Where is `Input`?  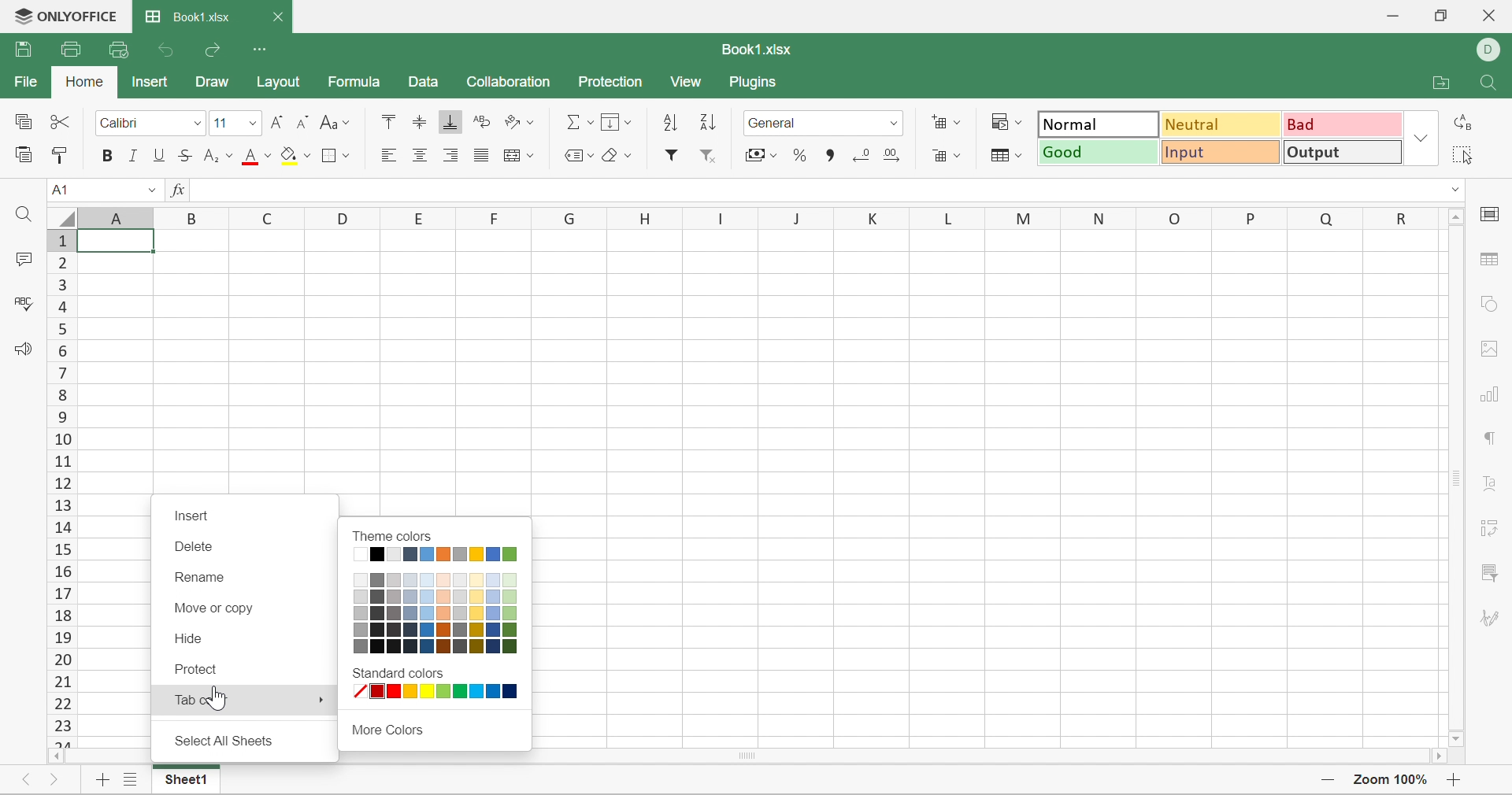
Input is located at coordinates (1221, 151).